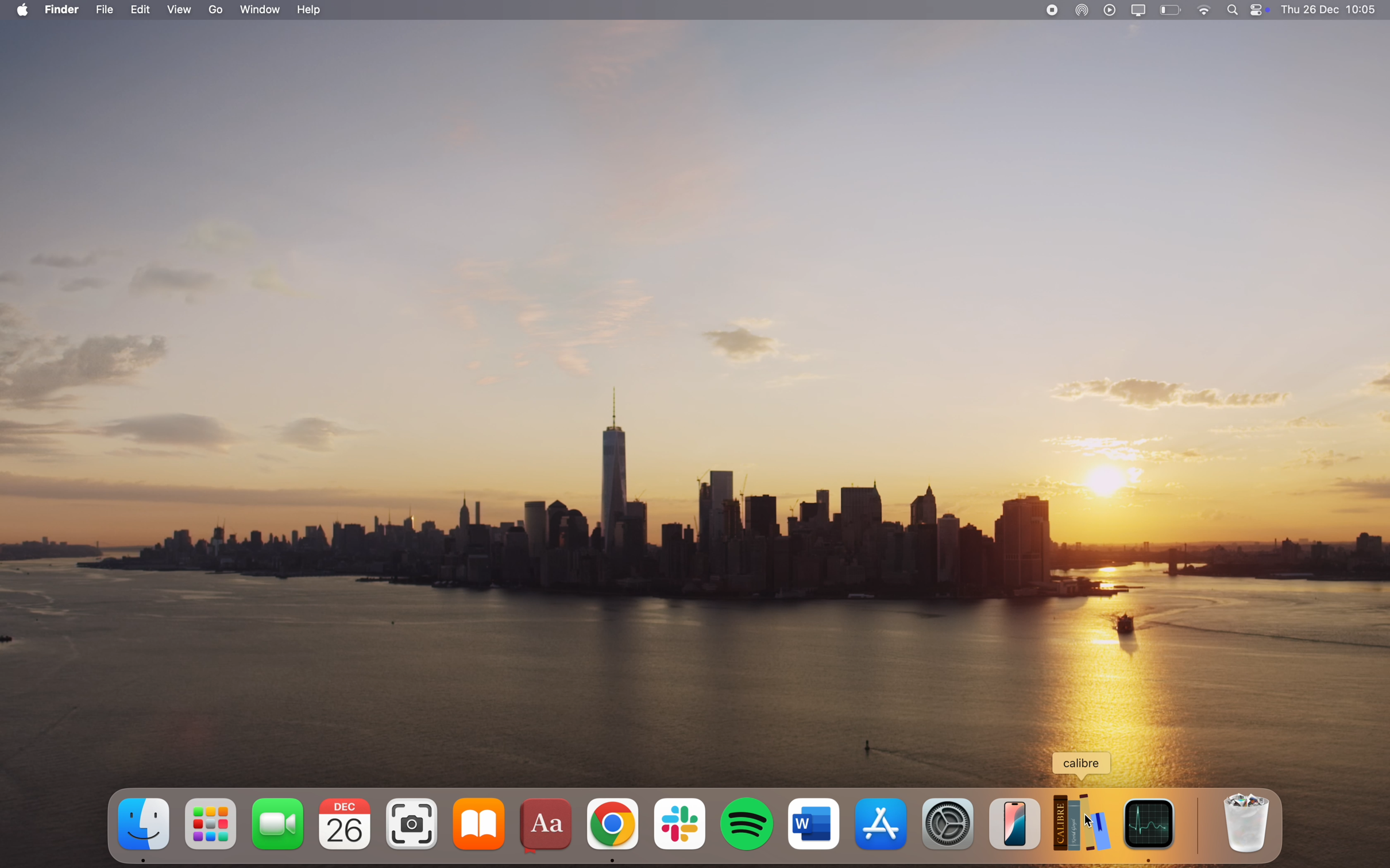 This screenshot has height=868, width=1390. Describe the element at coordinates (1202, 9) in the screenshot. I see `wifi` at that location.